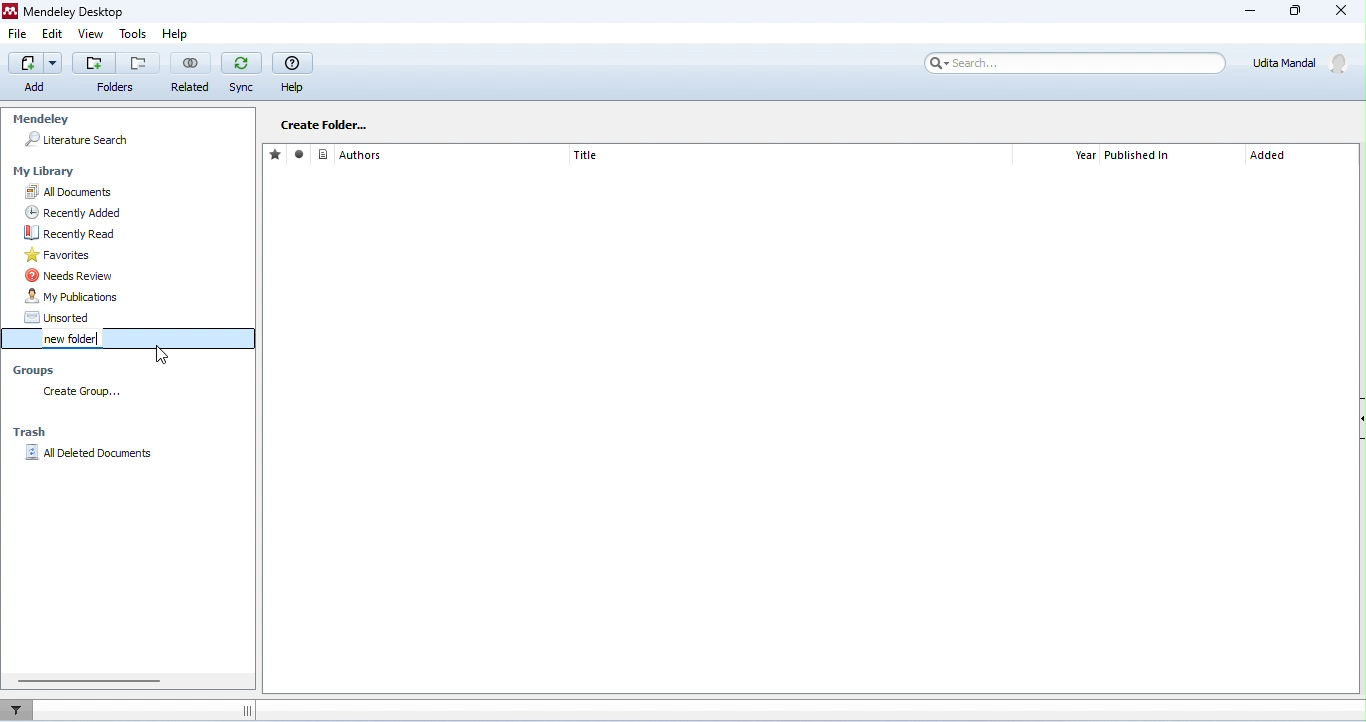 This screenshot has height=722, width=1366. What do you see at coordinates (324, 124) in the screenshot?
I see `create folder` at bounding box center [324, 124].